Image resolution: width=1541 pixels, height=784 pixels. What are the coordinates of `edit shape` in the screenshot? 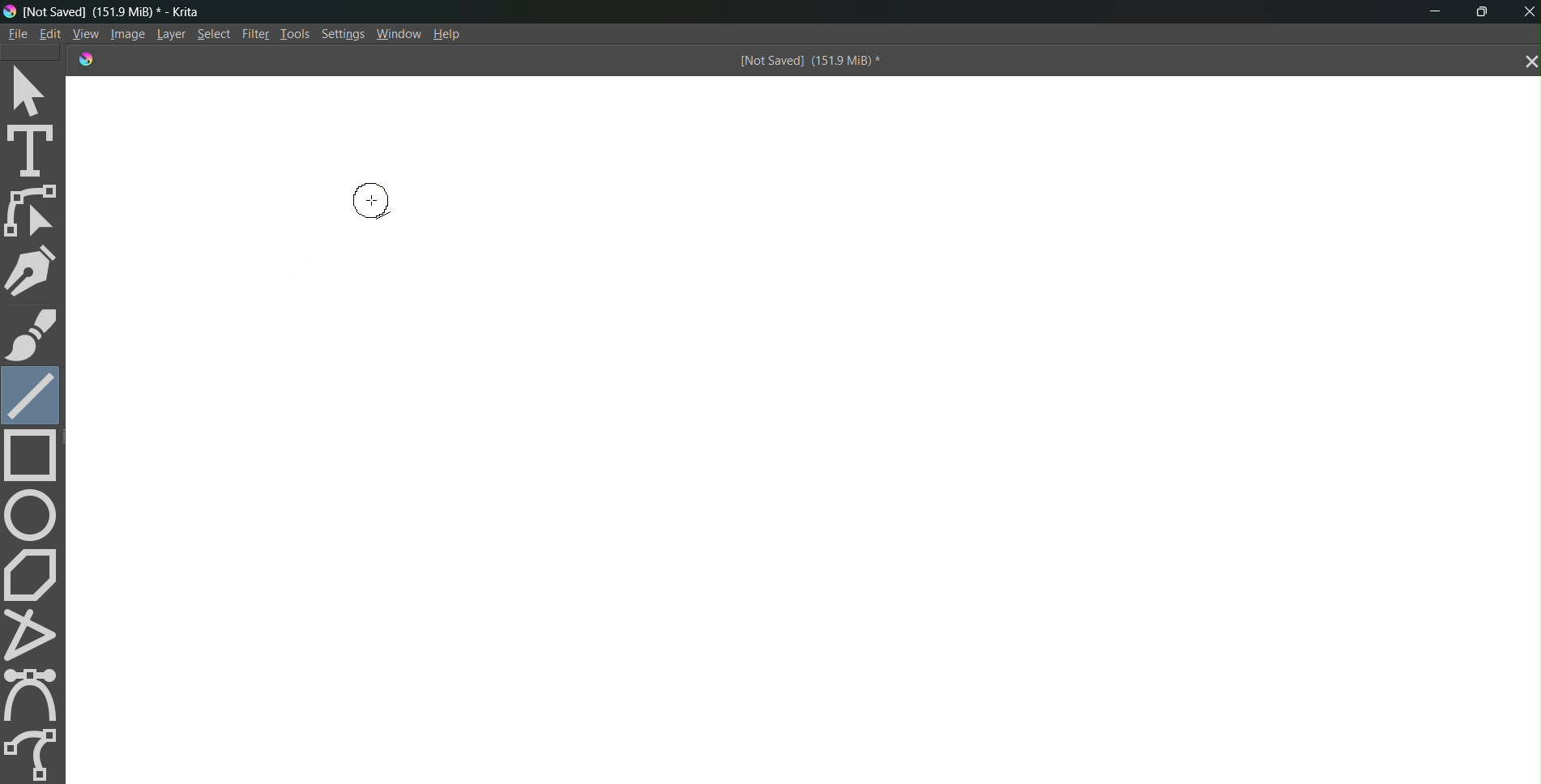 It's located at (35, 211).